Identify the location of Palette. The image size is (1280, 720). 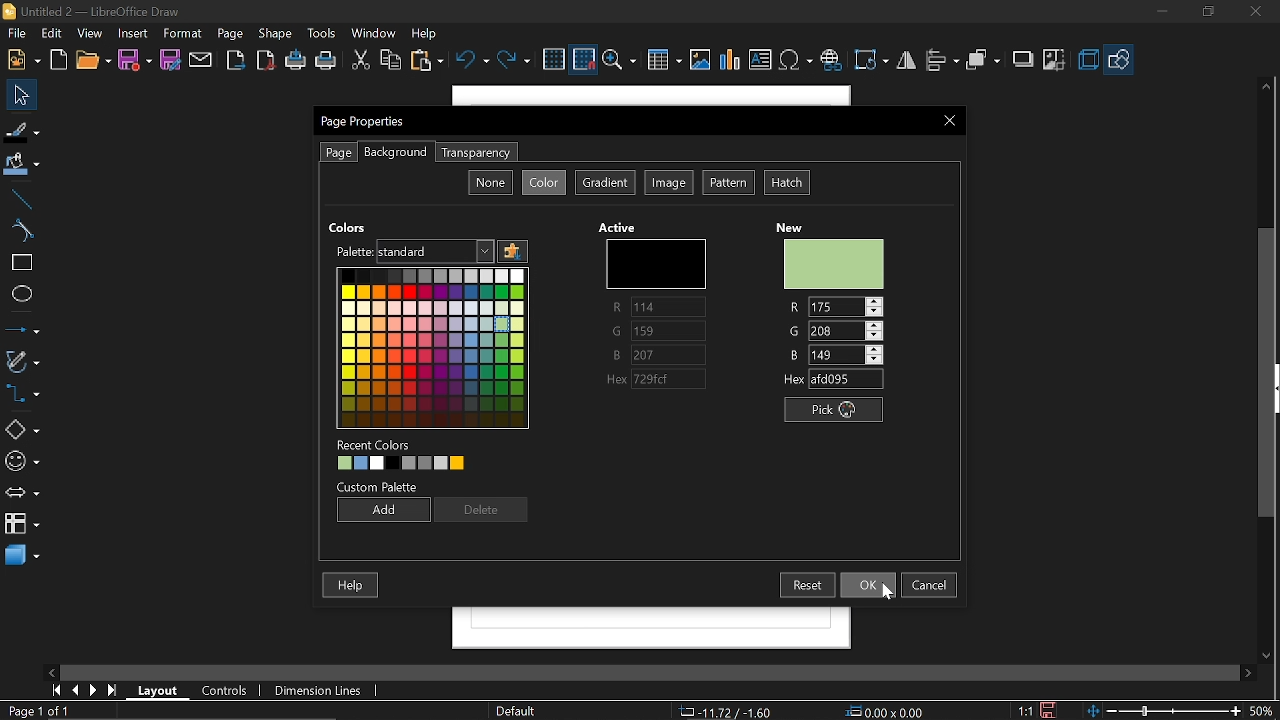
(352, 251).